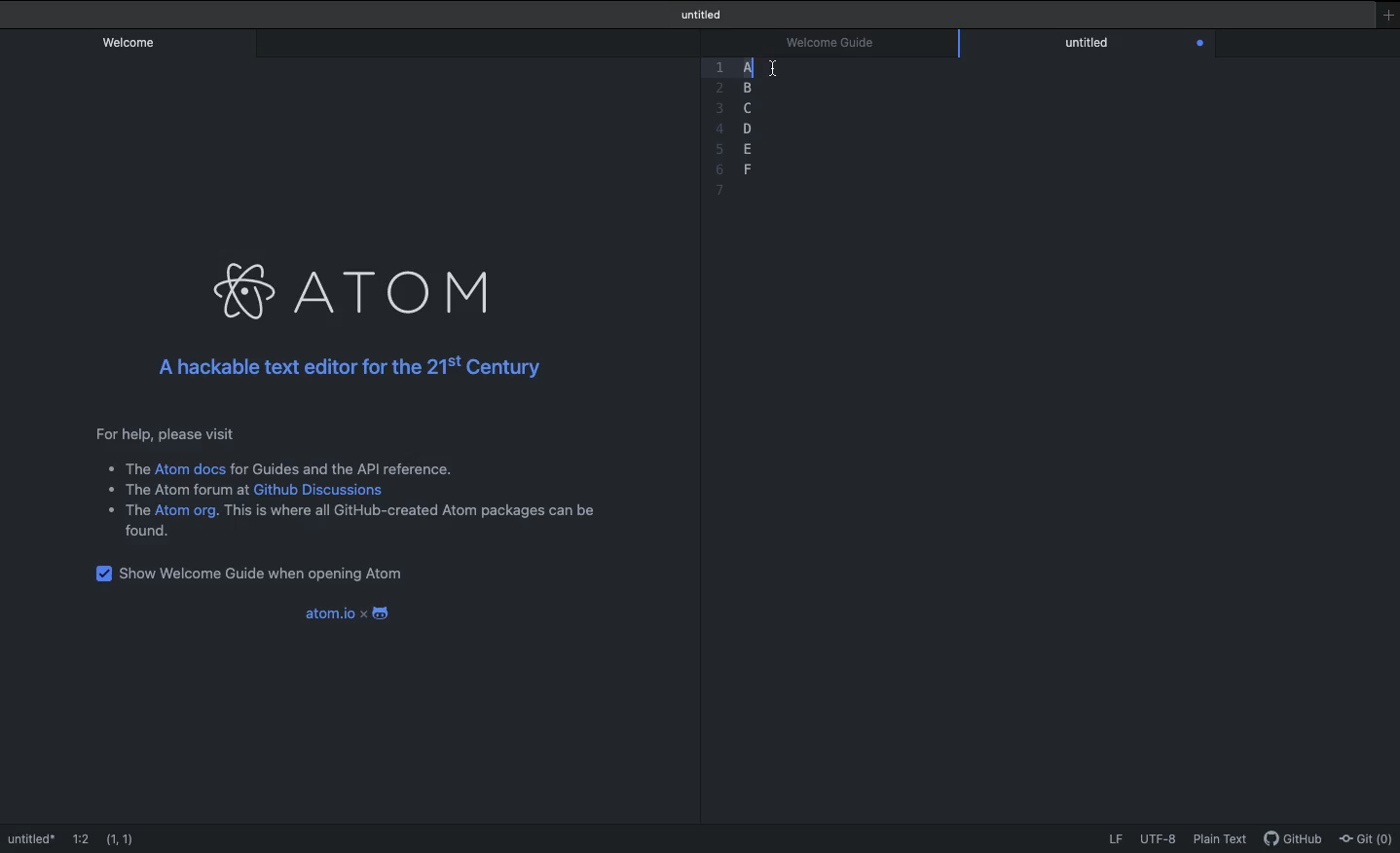 This screenshot has width=1400, height=853. I want to click on Welcome guide, so click(51, 838).